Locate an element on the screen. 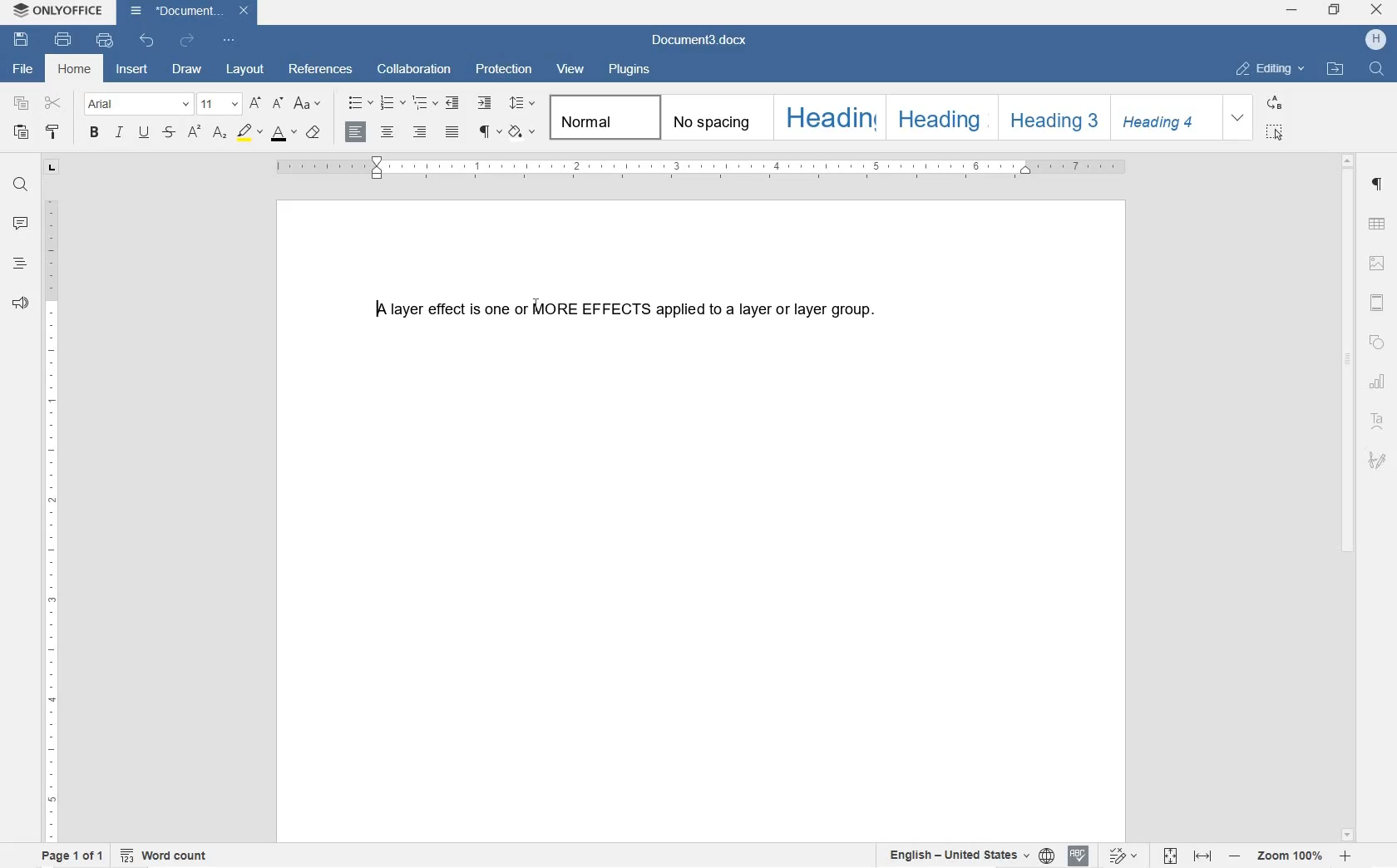  EDITING is located at coordinates (1271, 65).